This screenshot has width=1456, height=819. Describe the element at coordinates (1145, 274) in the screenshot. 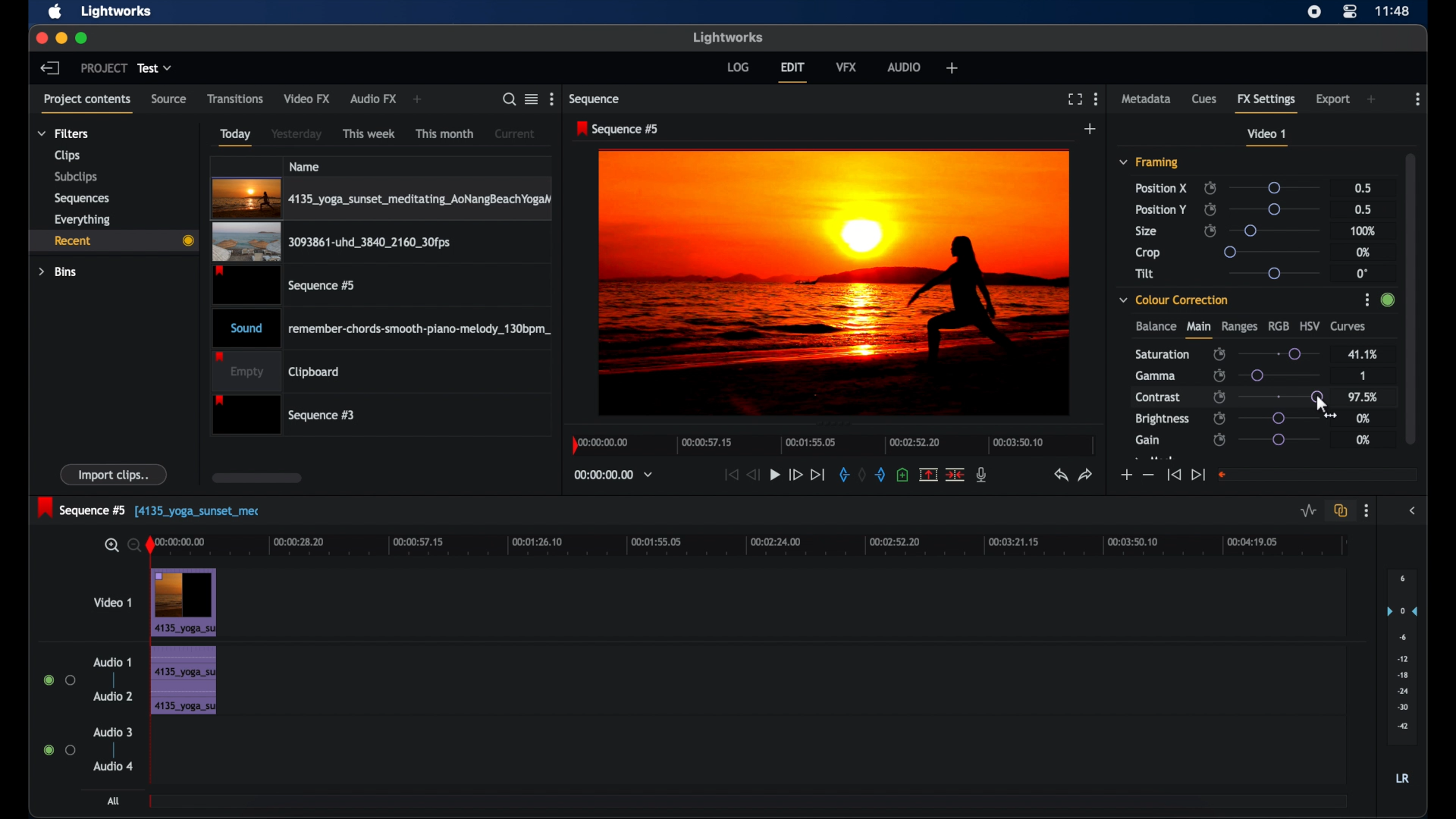

I see `tilt` at that location.